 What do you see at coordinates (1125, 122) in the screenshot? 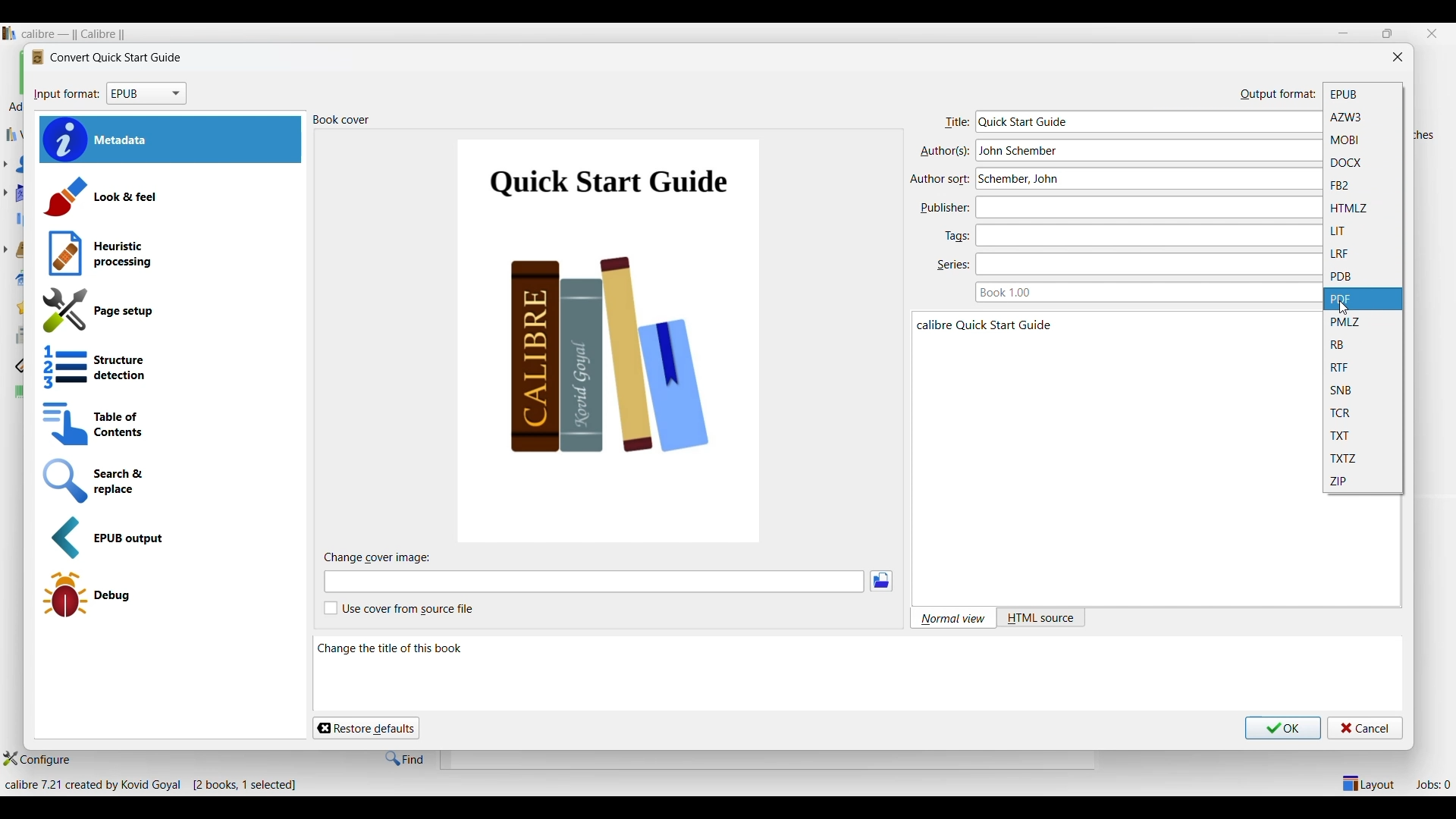
I see `Type in title` at bounding box center [1125, 122].